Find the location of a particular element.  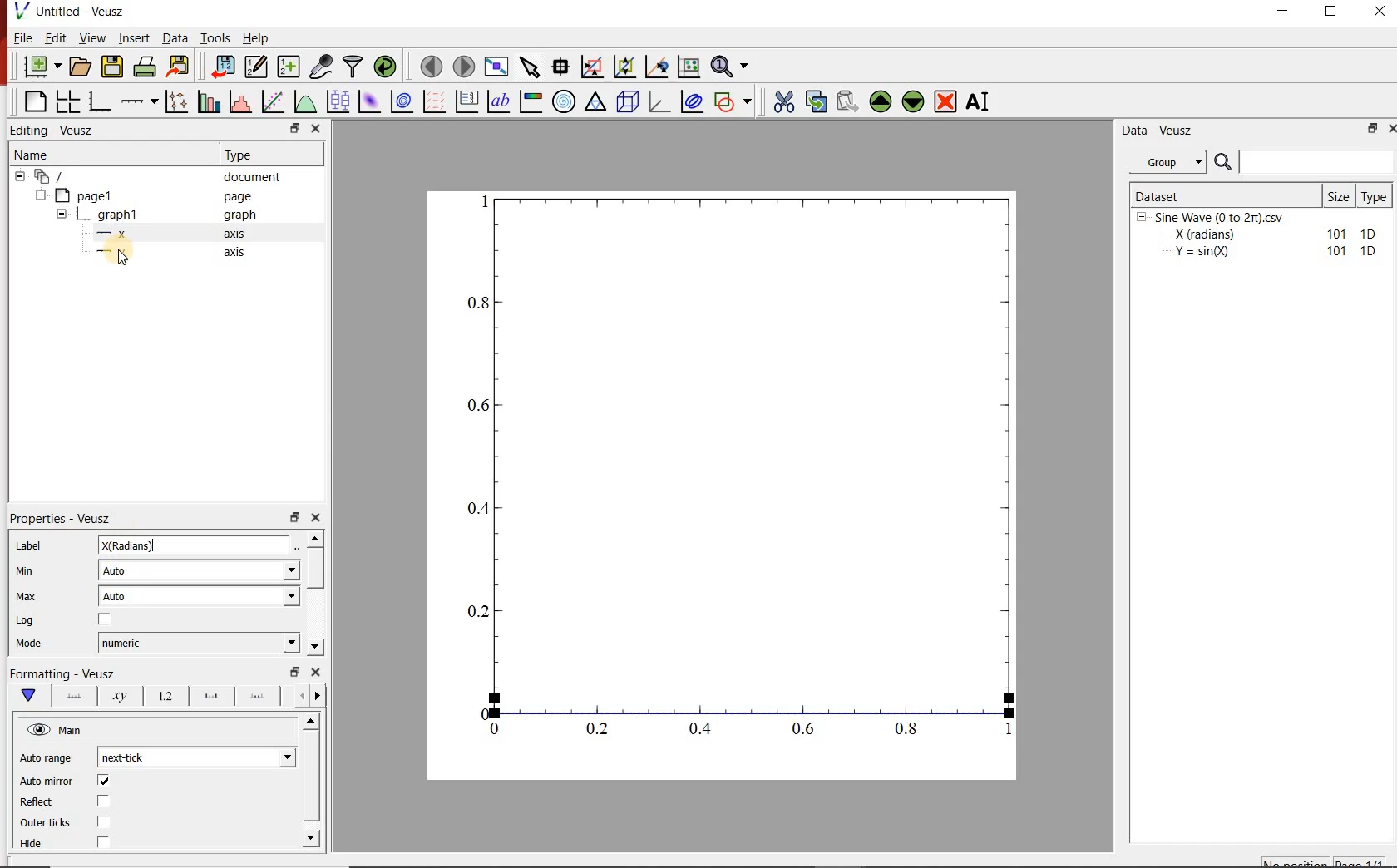

3d scene is located at coordinates (628, 101).